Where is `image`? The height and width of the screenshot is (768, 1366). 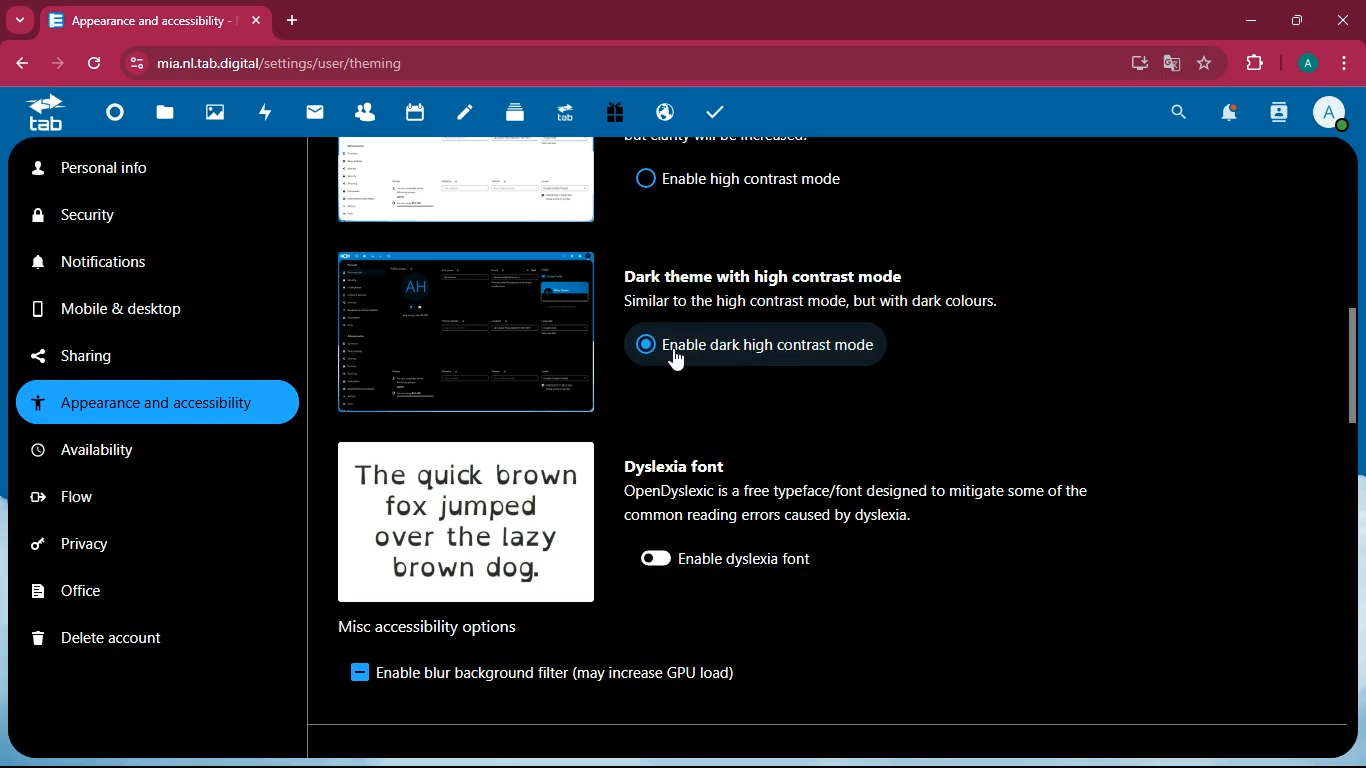
image is located at coordinates (458, 182).